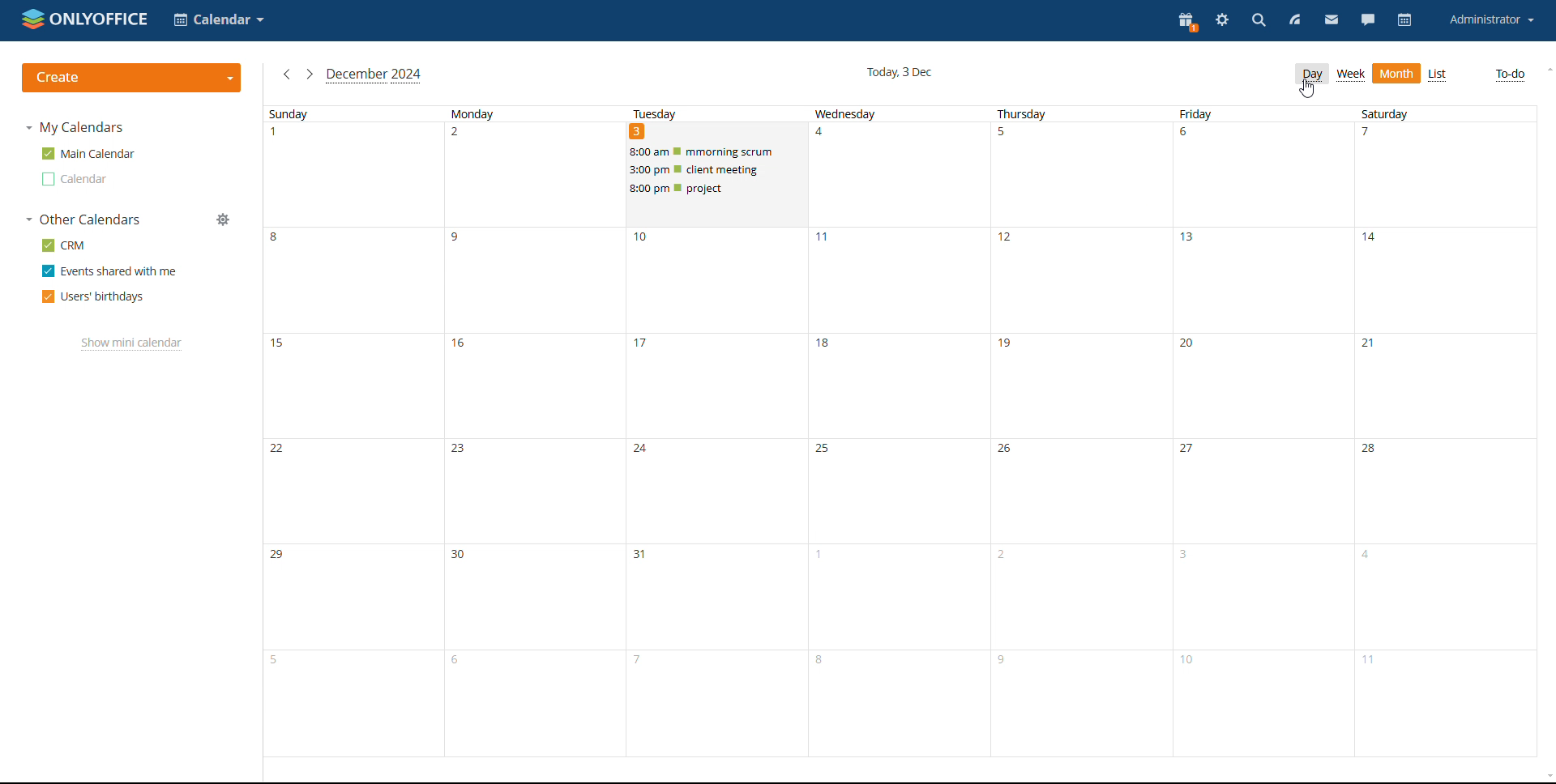 The width and height of the screenshot is (1556, 784). I want to click on account, so click(1491, 19).